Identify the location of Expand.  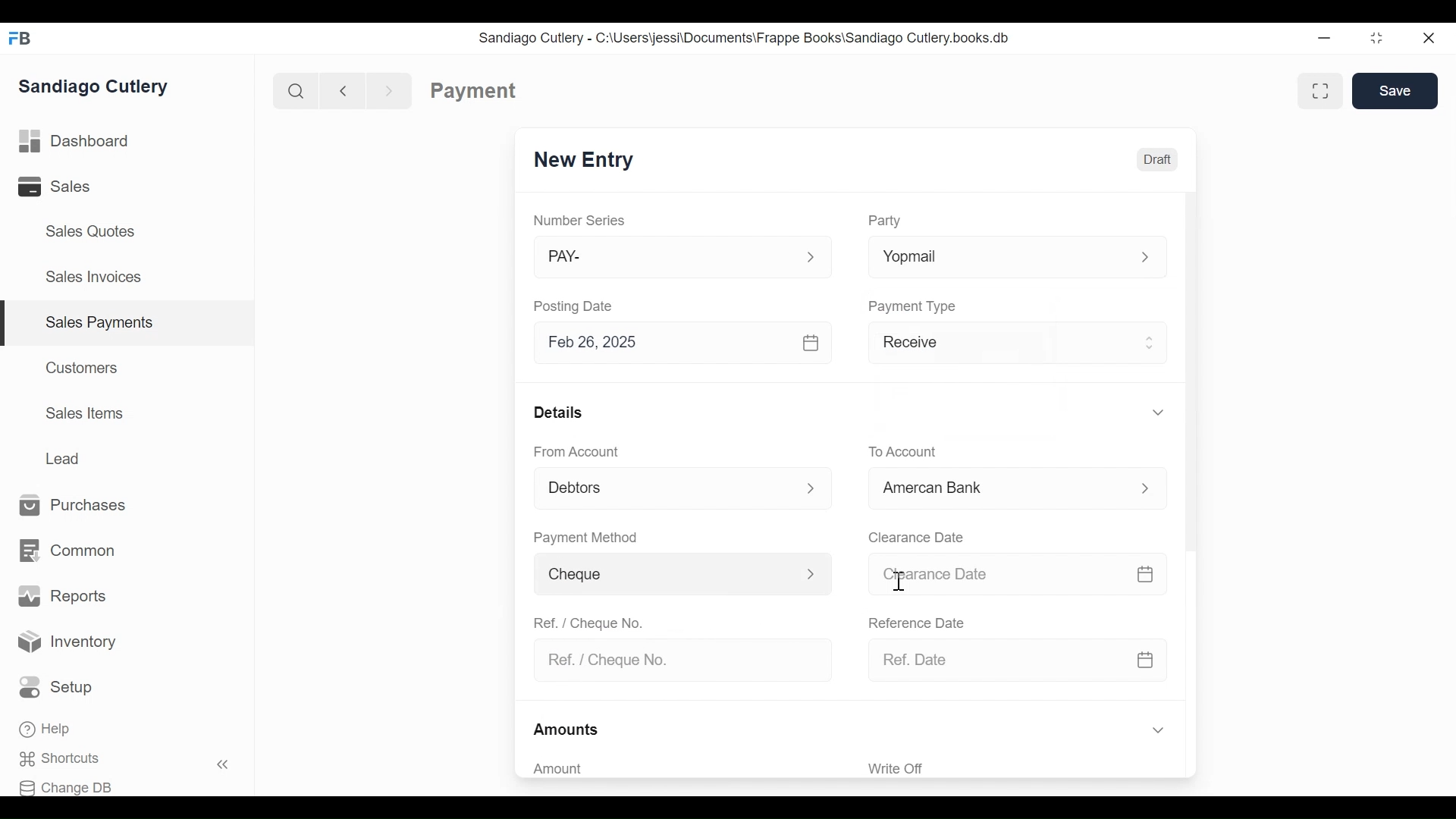
(1148, 489).